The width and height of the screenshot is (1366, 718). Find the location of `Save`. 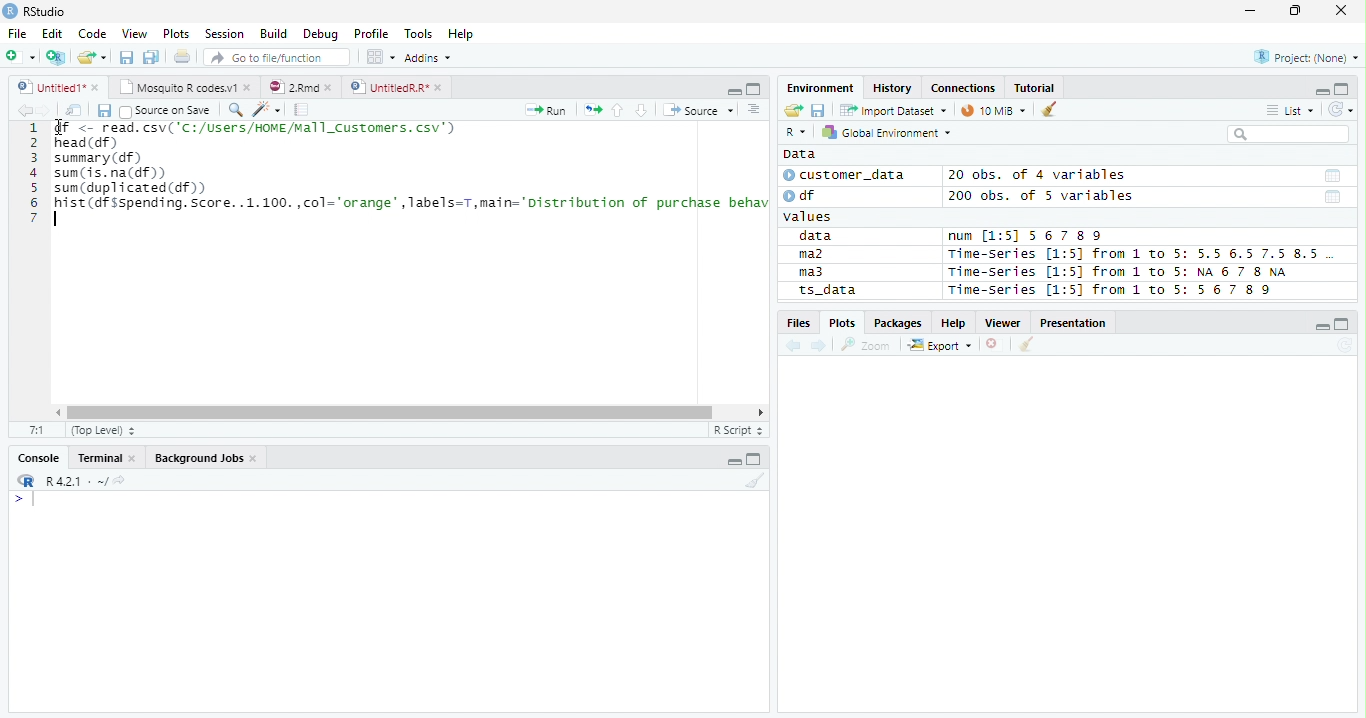

Save is located at coordinates (818, 109).